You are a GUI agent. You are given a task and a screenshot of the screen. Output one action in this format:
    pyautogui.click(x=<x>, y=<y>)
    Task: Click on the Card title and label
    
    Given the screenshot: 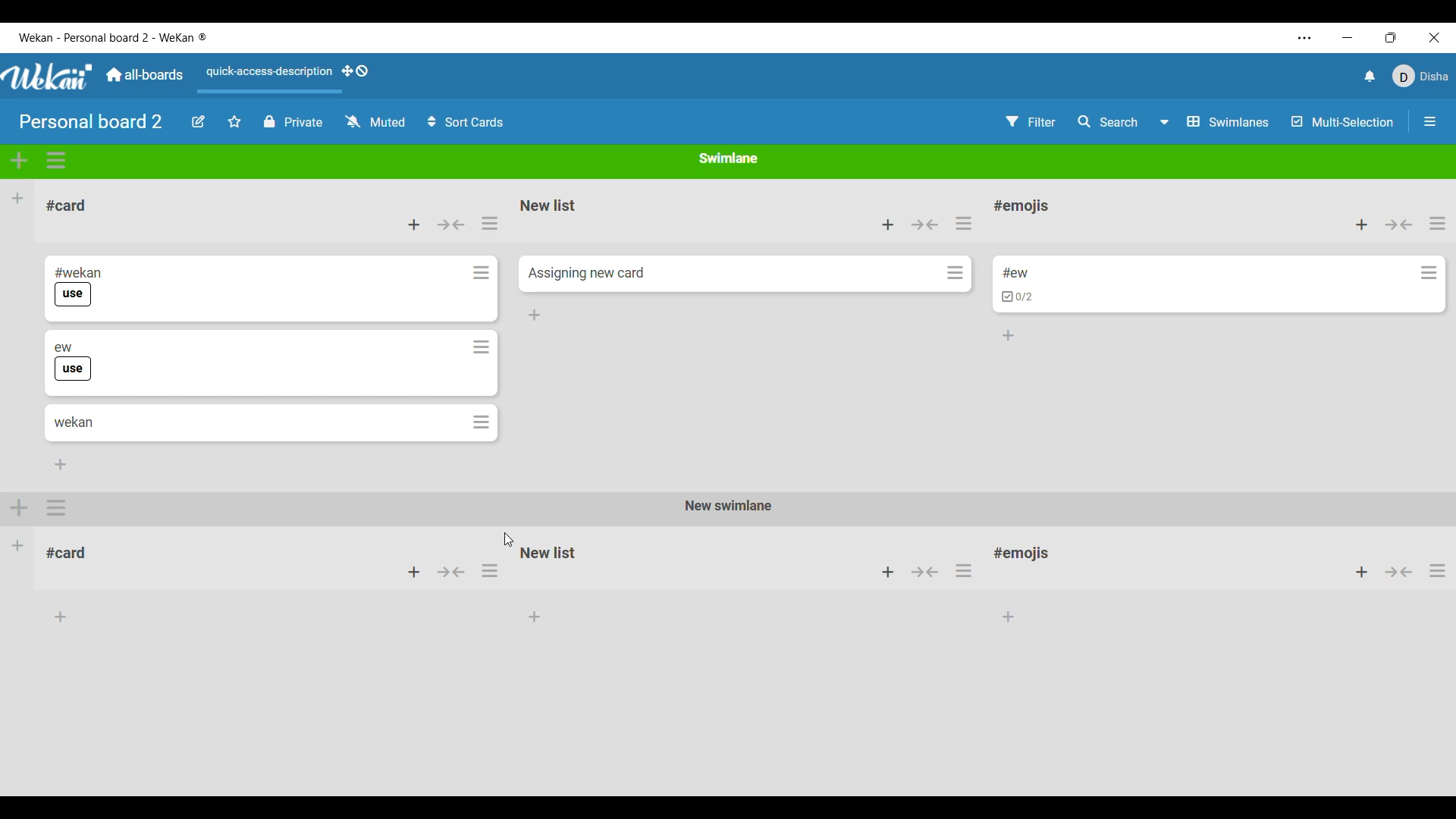 What is the action you would take?
    pyautogui.click(x=77, y=360)
    